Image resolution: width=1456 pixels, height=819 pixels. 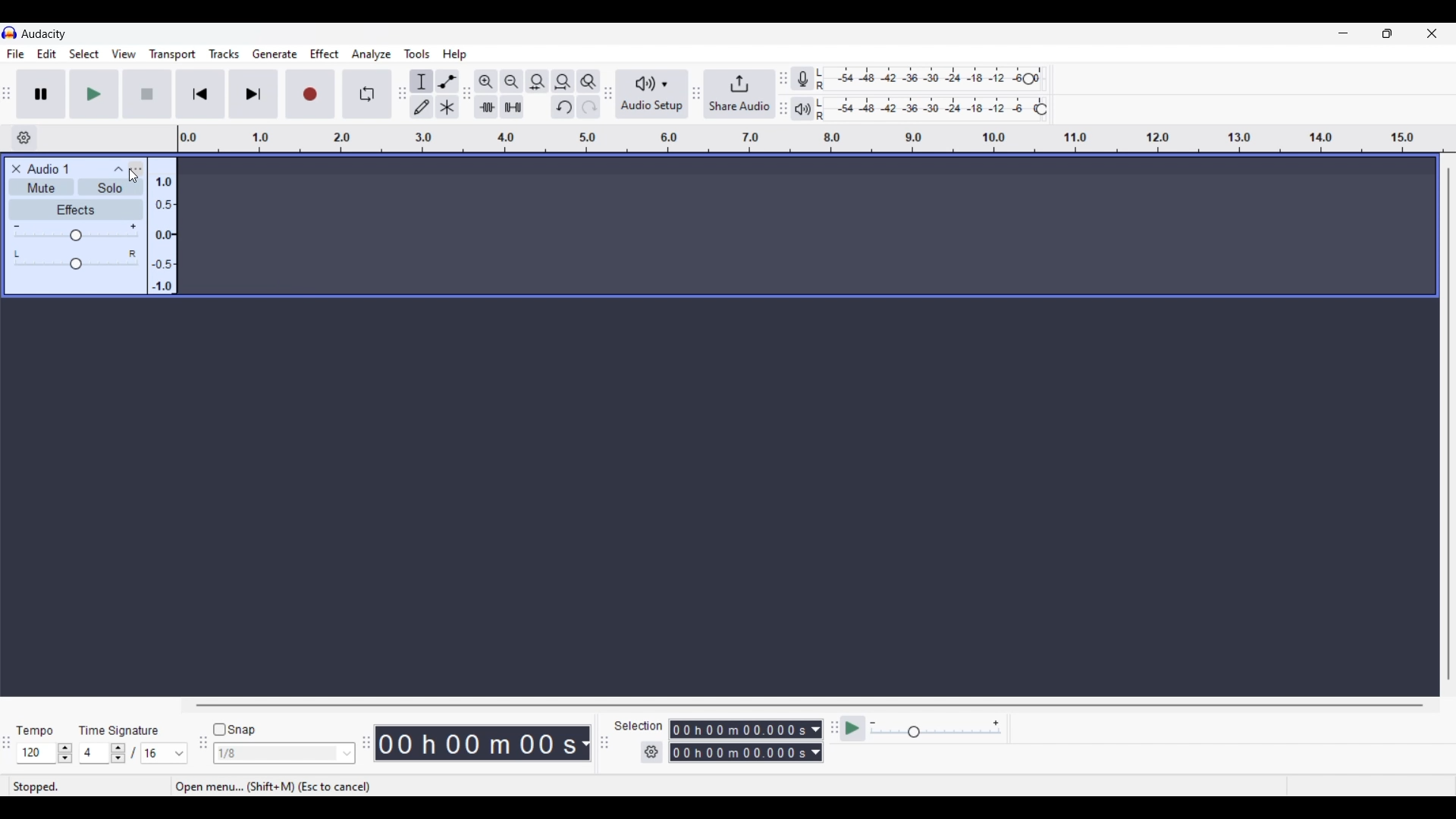 What do you see at coordinates (814, 742) in the screenshot?
I see `Metric options to record duration` at bounding box center [814, 742].